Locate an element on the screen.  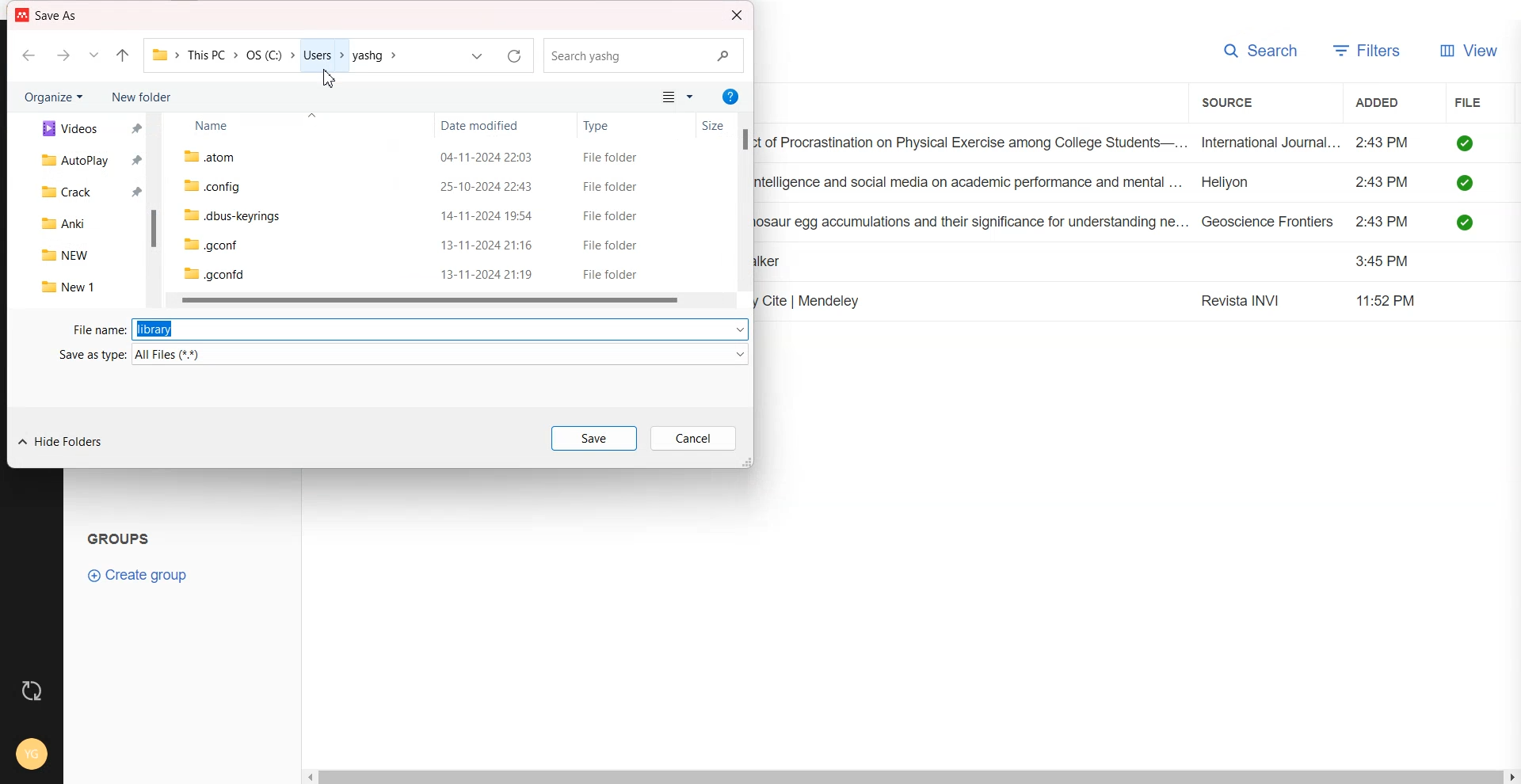
Vertical scroll bar is located at coordinates (747, 202).